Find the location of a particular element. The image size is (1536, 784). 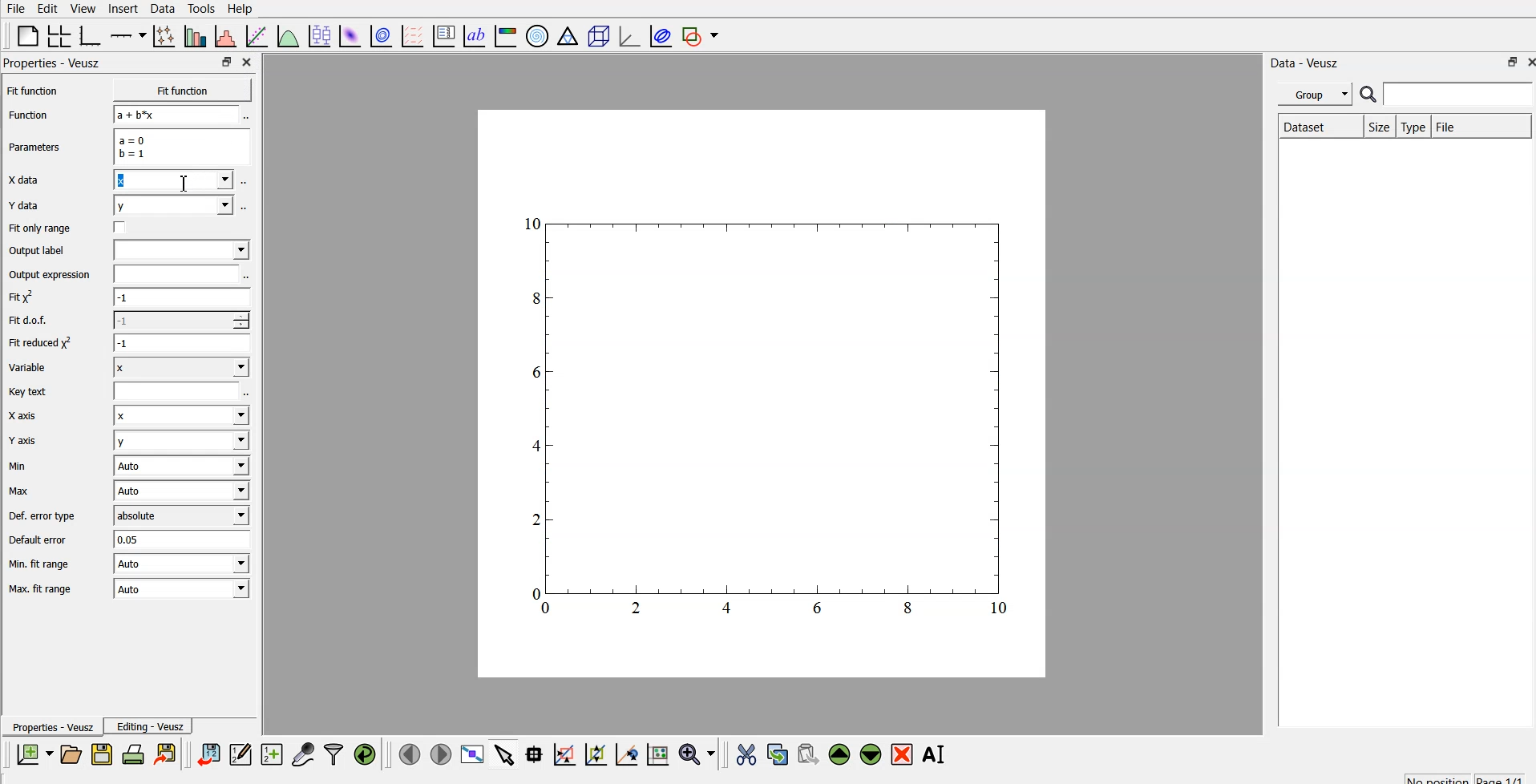

Help is located at coordinates (241, 7).